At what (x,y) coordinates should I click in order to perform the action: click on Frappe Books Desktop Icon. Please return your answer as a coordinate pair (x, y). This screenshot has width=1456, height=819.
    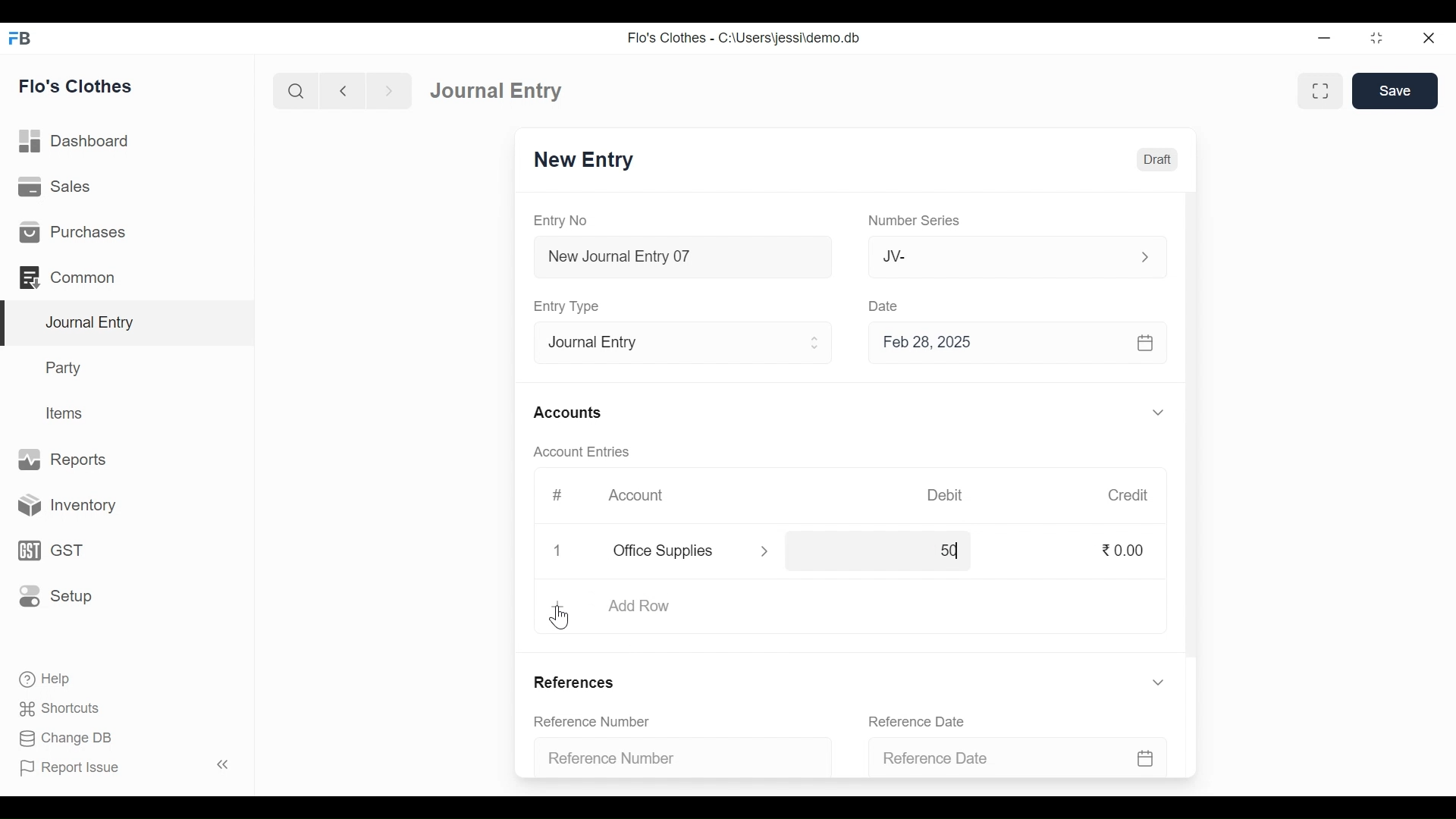
    Looking at the image, I should click on (20, 39).